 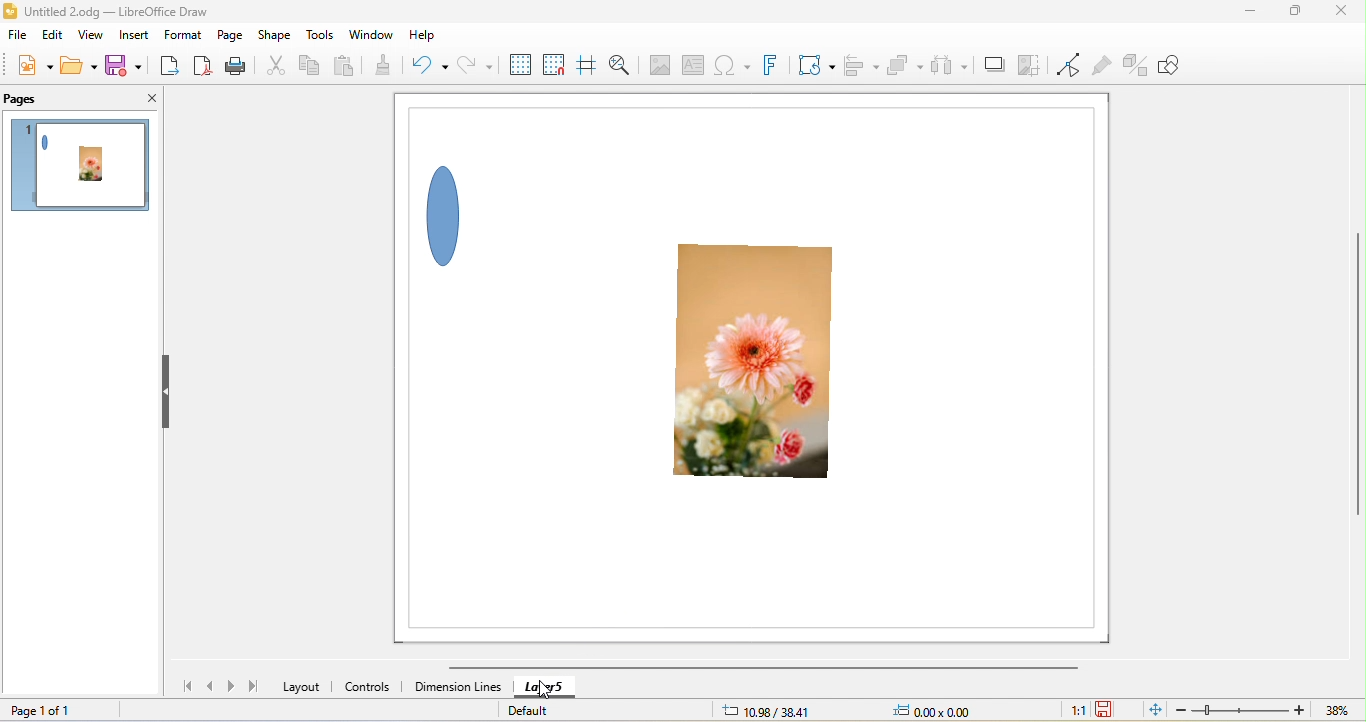 I want to click on close, so click(x=1339, y=14).